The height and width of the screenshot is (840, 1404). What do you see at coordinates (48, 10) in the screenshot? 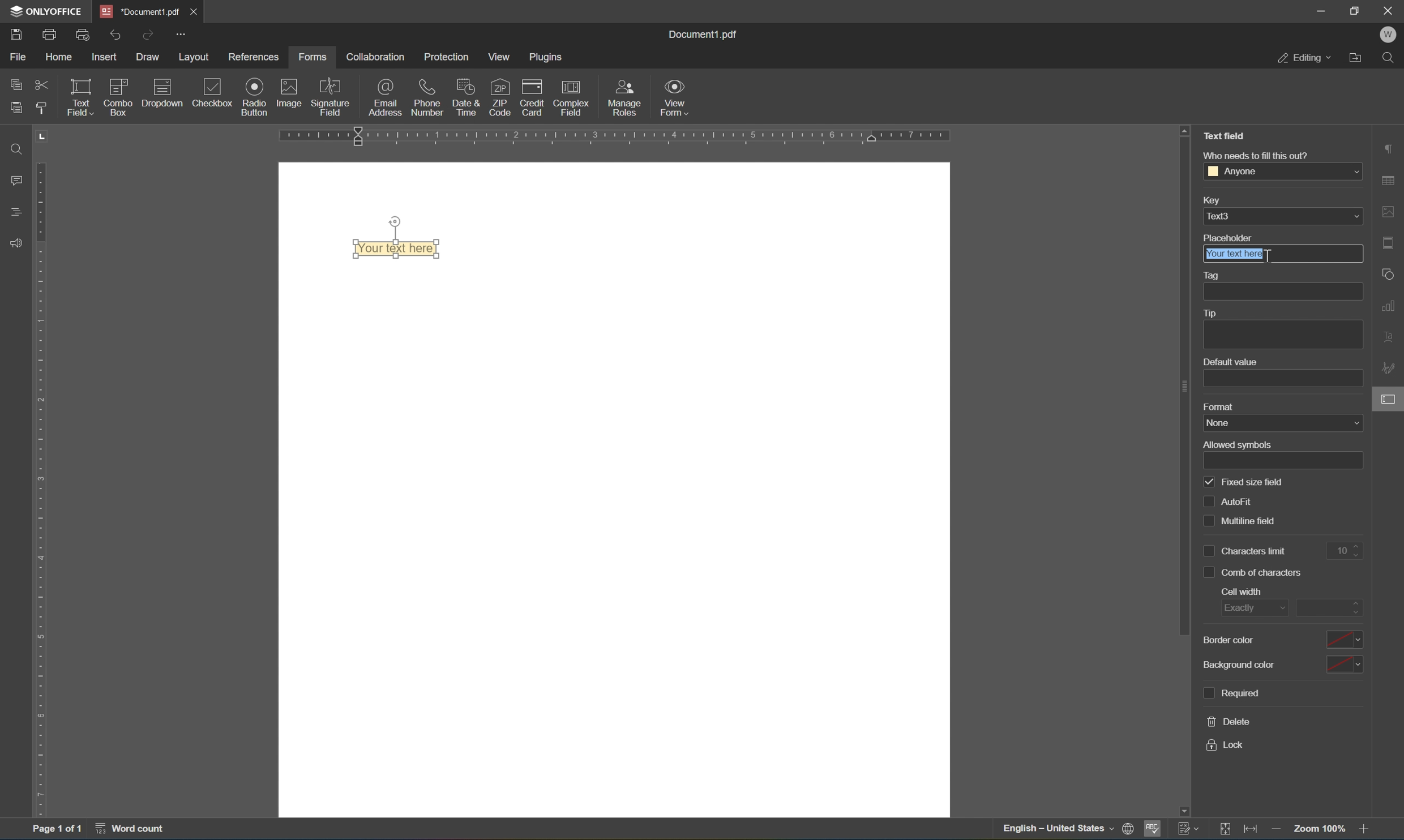
I see `onlyoffice` at bounding box center [48, 10].